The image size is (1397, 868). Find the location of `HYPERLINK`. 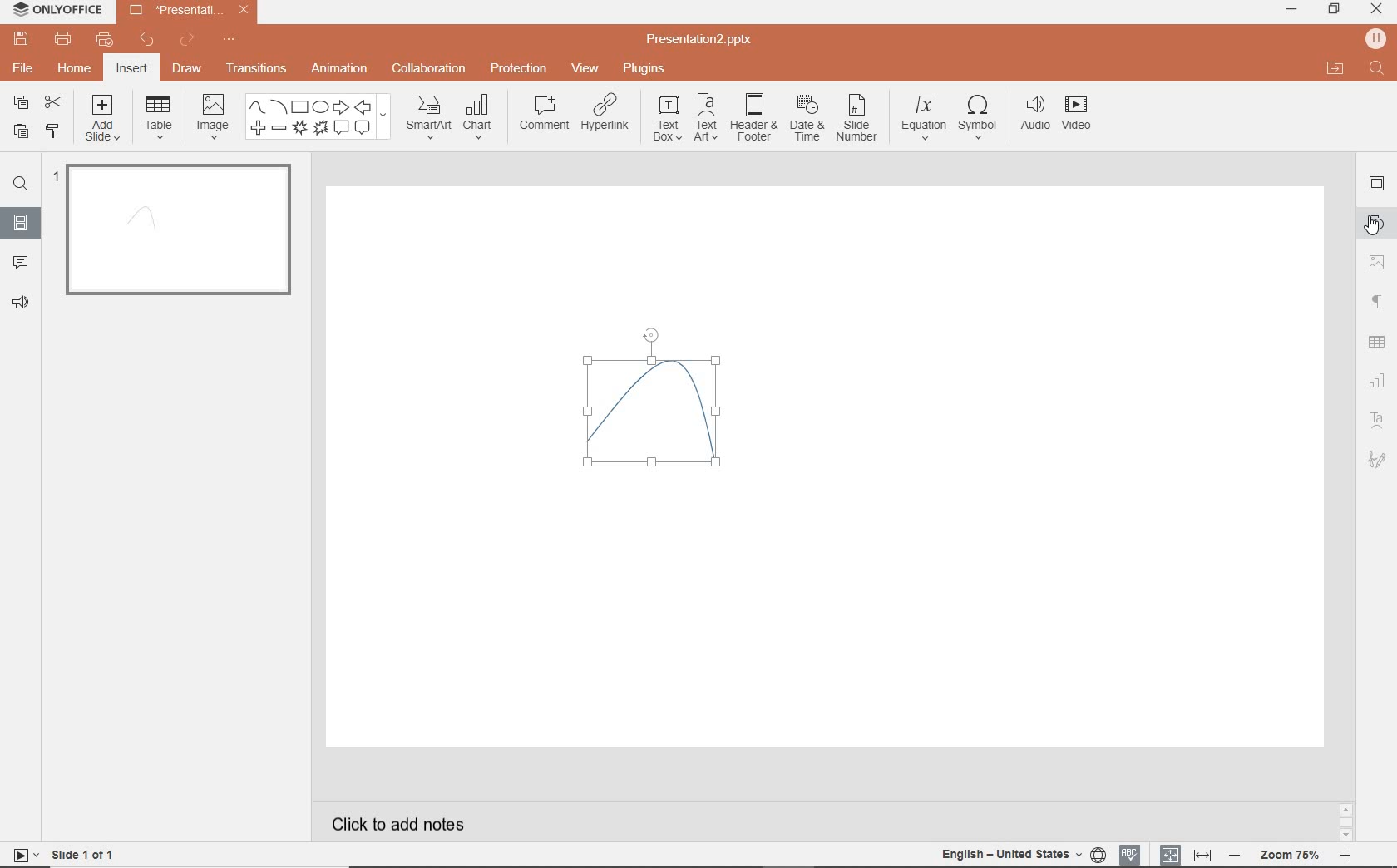

HYPERLINK is located at coordinates (608, 116).